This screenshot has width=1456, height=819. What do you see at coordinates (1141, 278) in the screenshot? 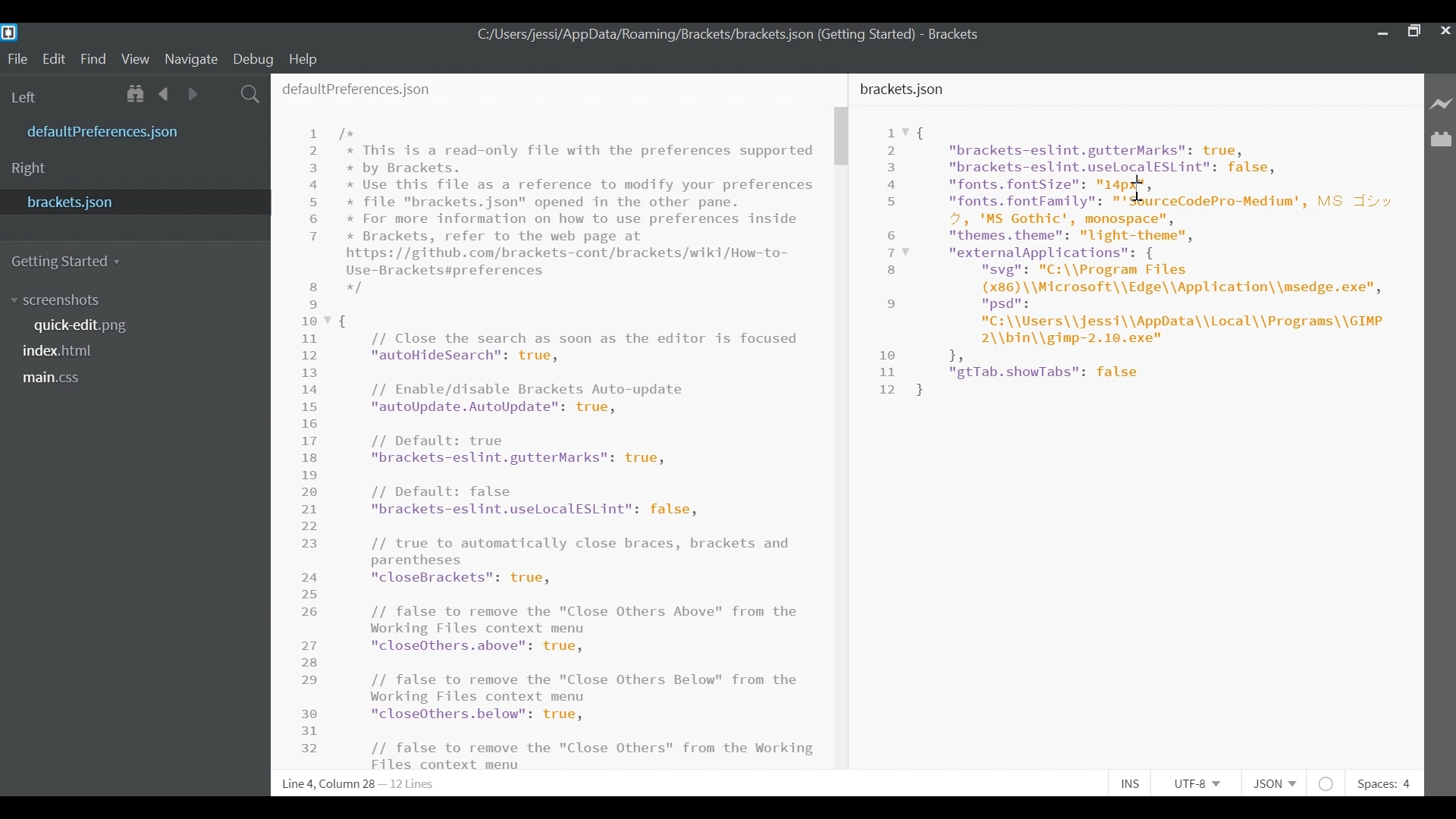
I see `1v{

2 "brackets-eslint.gutterMarks": true,

3 "brackets-eslint.uselocalESLint": false,

4 "fonts. fontSize": ah

5 "fonts. fontFamily": "'SburceCodePro-Medium', MS Jv

4, 'MS Gothic', monospace",

6 "themes.theme": "light-theme",

Tv "externalApplications": {

8 "svg": "C:\\Program Files
(x86) \\Microsoft\\Edge\\Application\\msedge.exe",

9 "psd":
"C:\\Users\\jessi\\AppData\\Local\\Programs\\GIMP
2\\bin\\gimp-2.10.exe"

10 1,

11 "gtTab.showTabs": false

12}` at bounding box center [1141, 278].